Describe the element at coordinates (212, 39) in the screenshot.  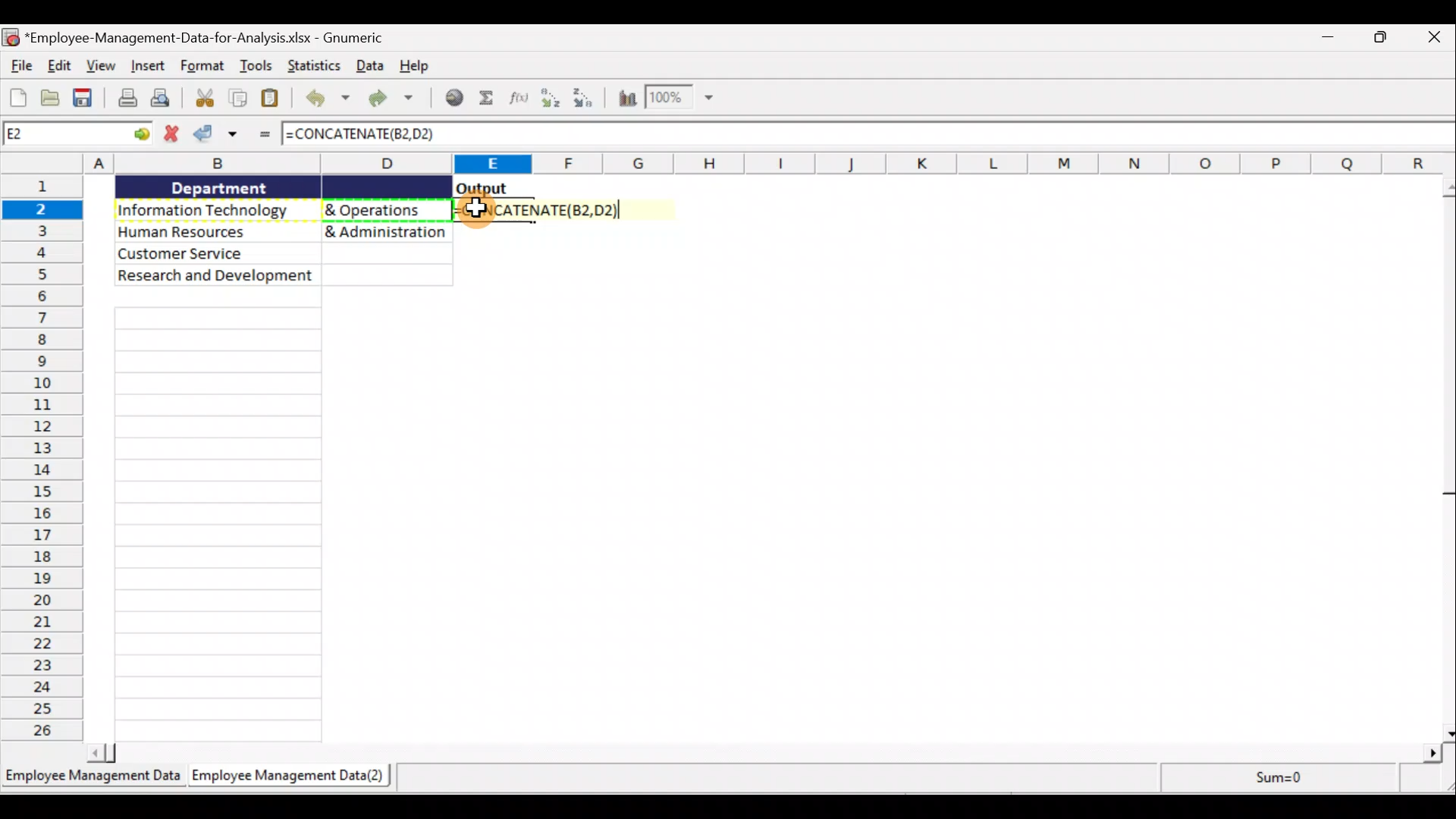
I see `Document name` at that location.